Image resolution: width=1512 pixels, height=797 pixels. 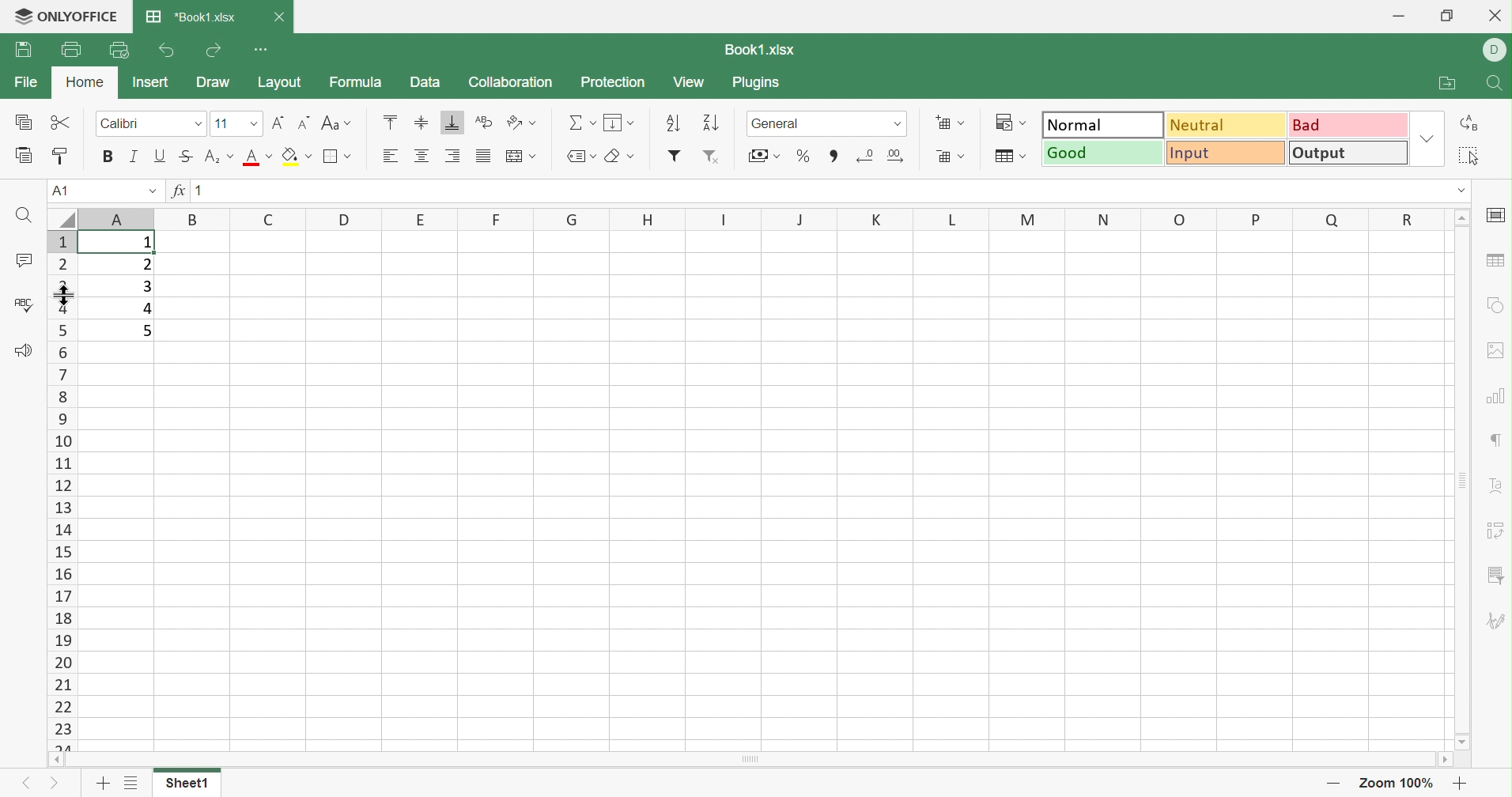 What do you see at coordinates (148, 288) in the screenshot?
I see `3` at bounding box center [148, 288].